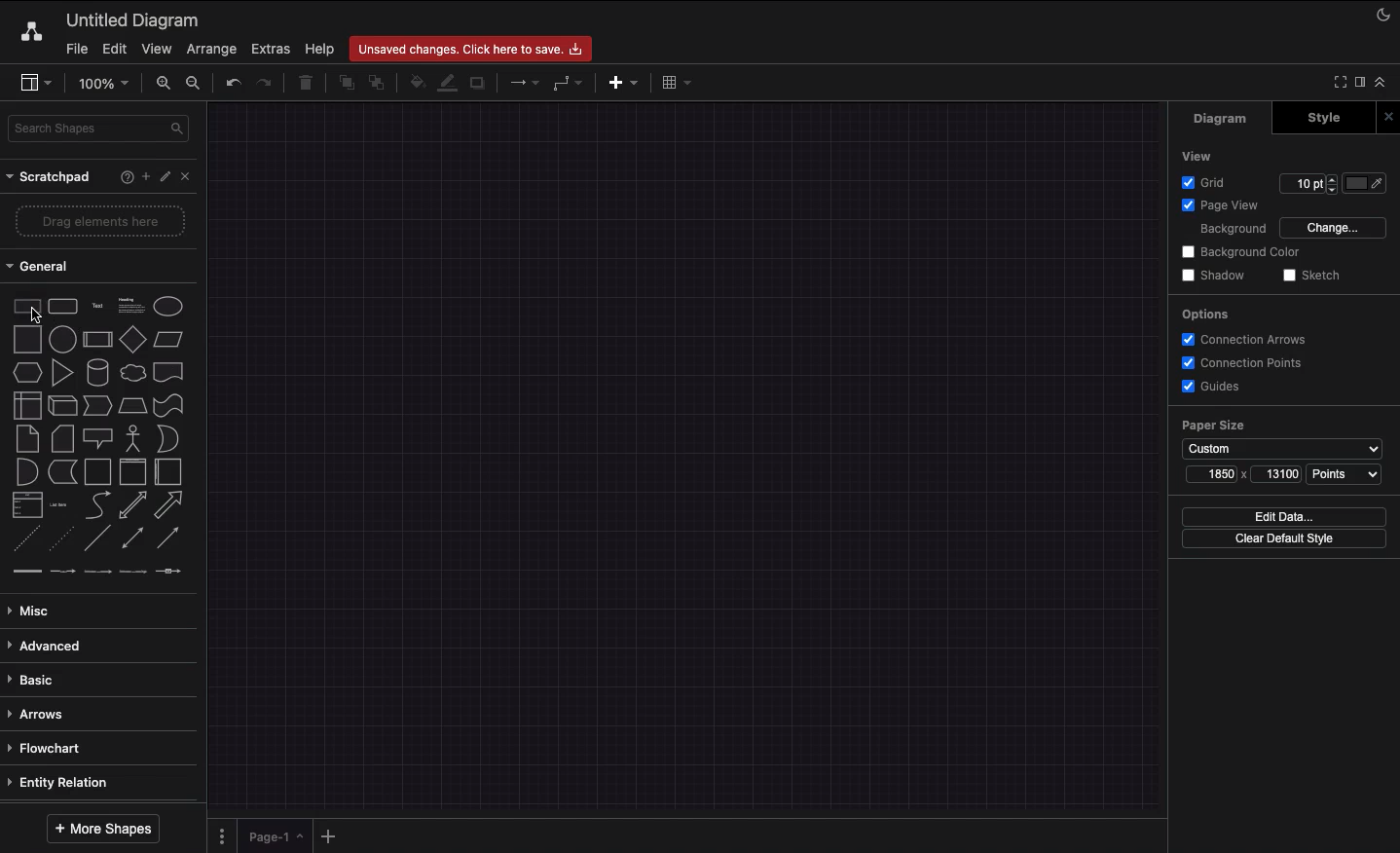 Image resolution: width=1400 pixels, height=853 pixels. What do you see at coordinates (160, 50) in the screenshot?
I see `View` at bounding box center [160, 50].